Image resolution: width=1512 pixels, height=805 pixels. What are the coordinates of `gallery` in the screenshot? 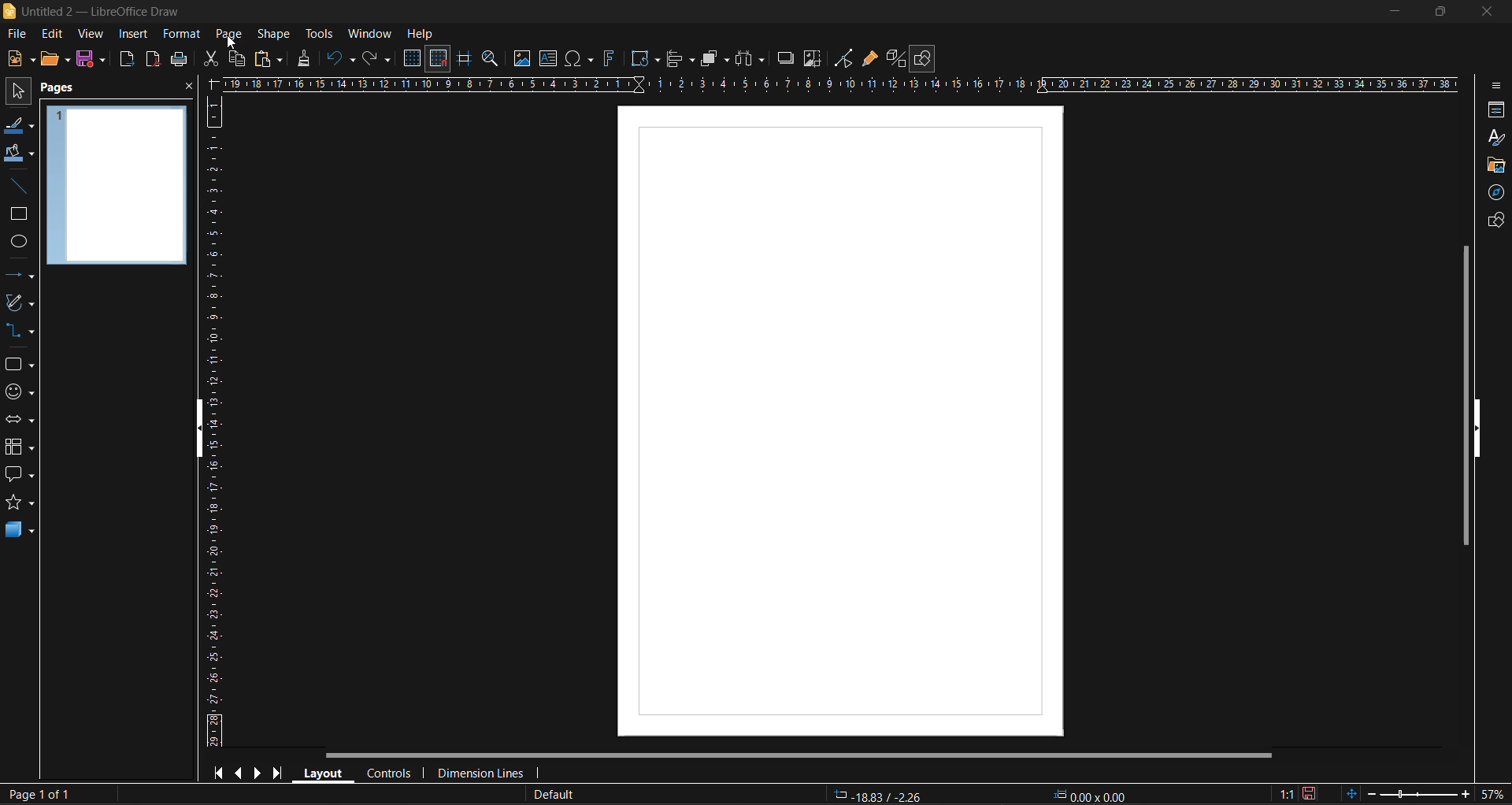 It's located at (1493, 165).